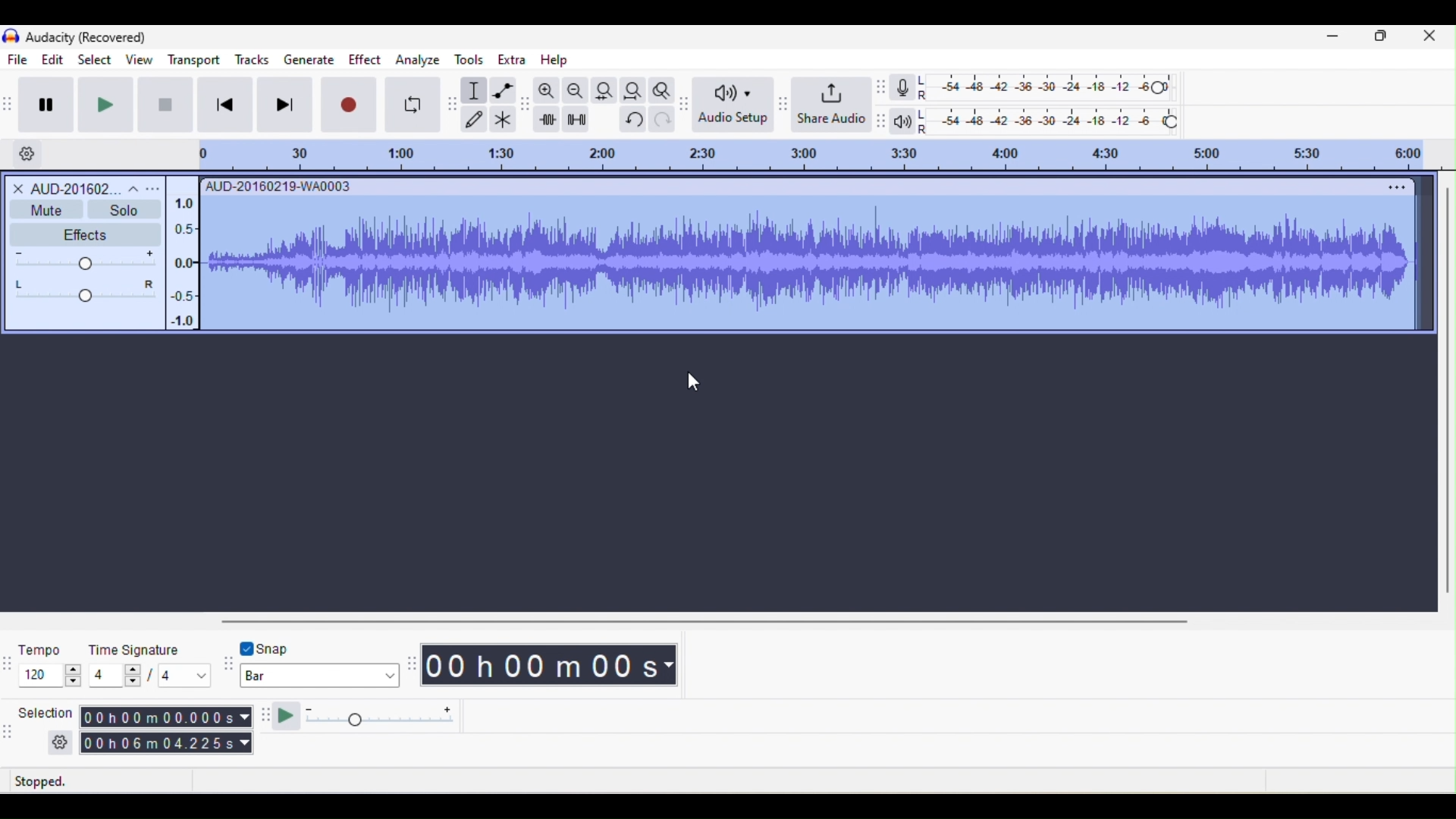 The height and width of the screenshot is (819, 1456). I want to click on audio setup, so click(732, 105).